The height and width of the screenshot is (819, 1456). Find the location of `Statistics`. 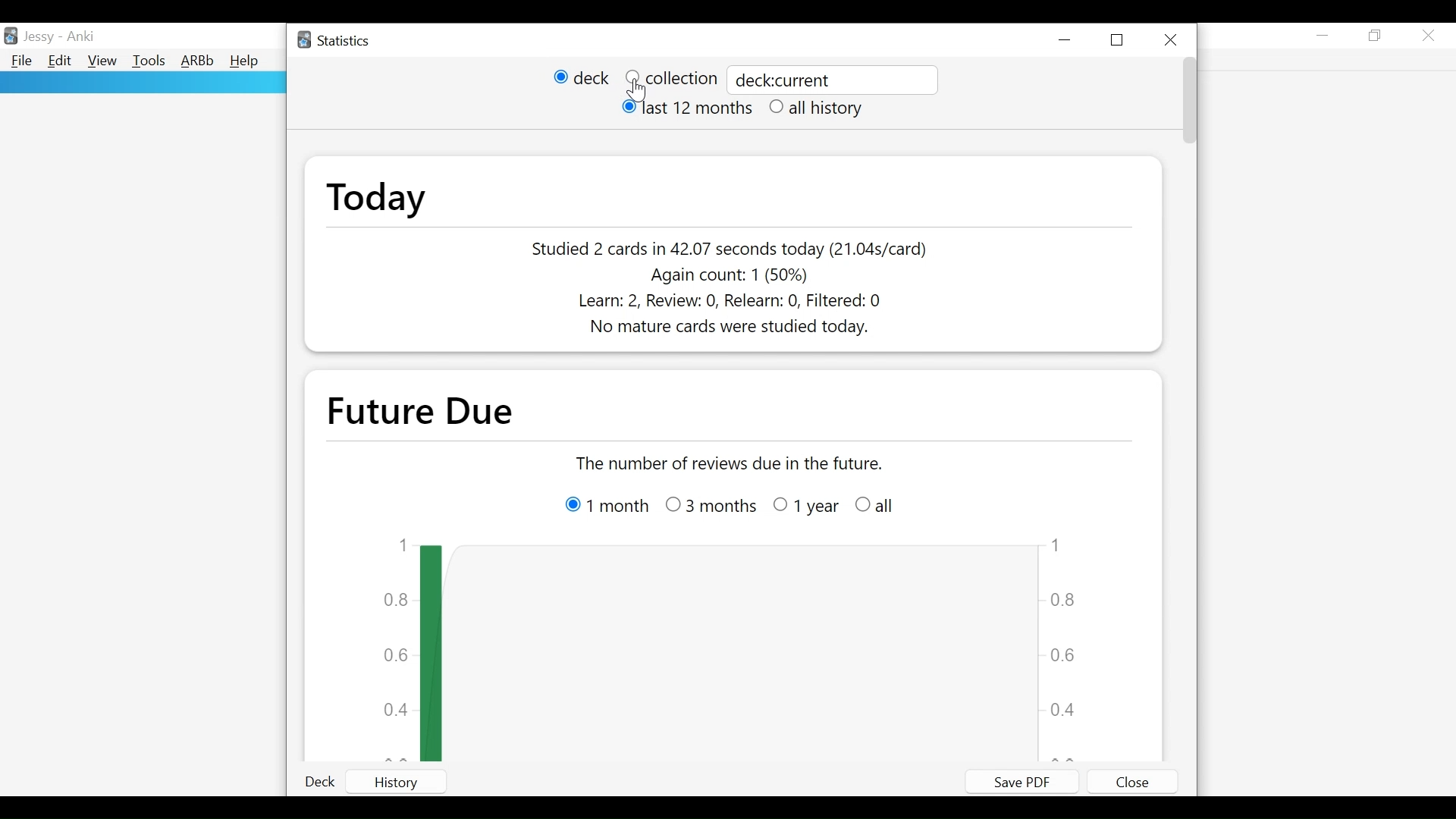

Statistics is located at coordinates (336, 41).